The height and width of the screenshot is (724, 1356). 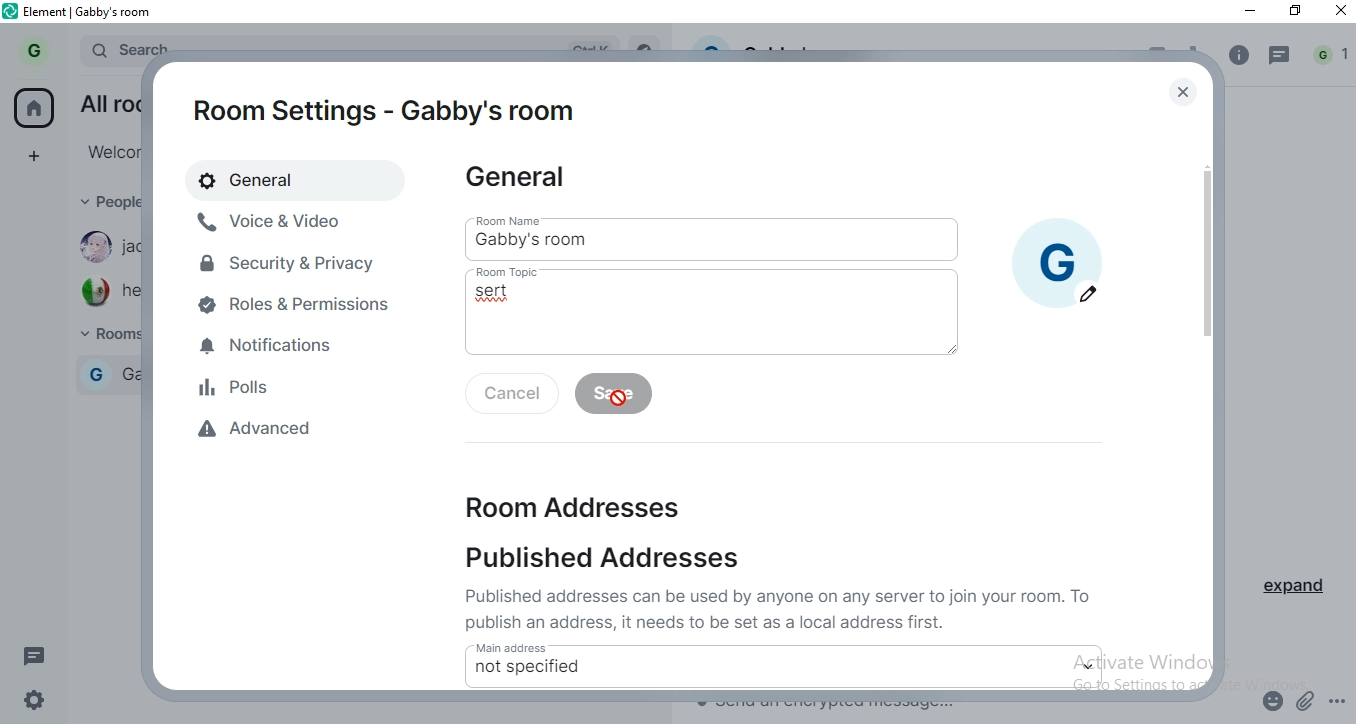 I want to click on add space, so click(x=40, y=156).